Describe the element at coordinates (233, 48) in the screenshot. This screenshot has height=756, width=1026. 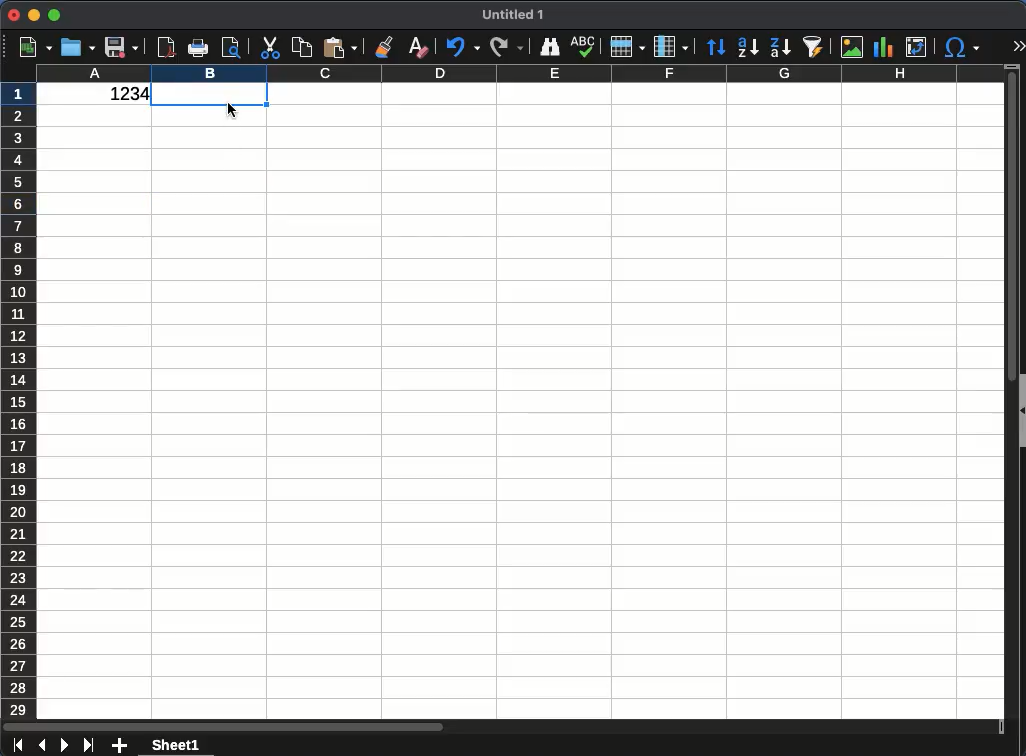
I see `print preview` at that location.